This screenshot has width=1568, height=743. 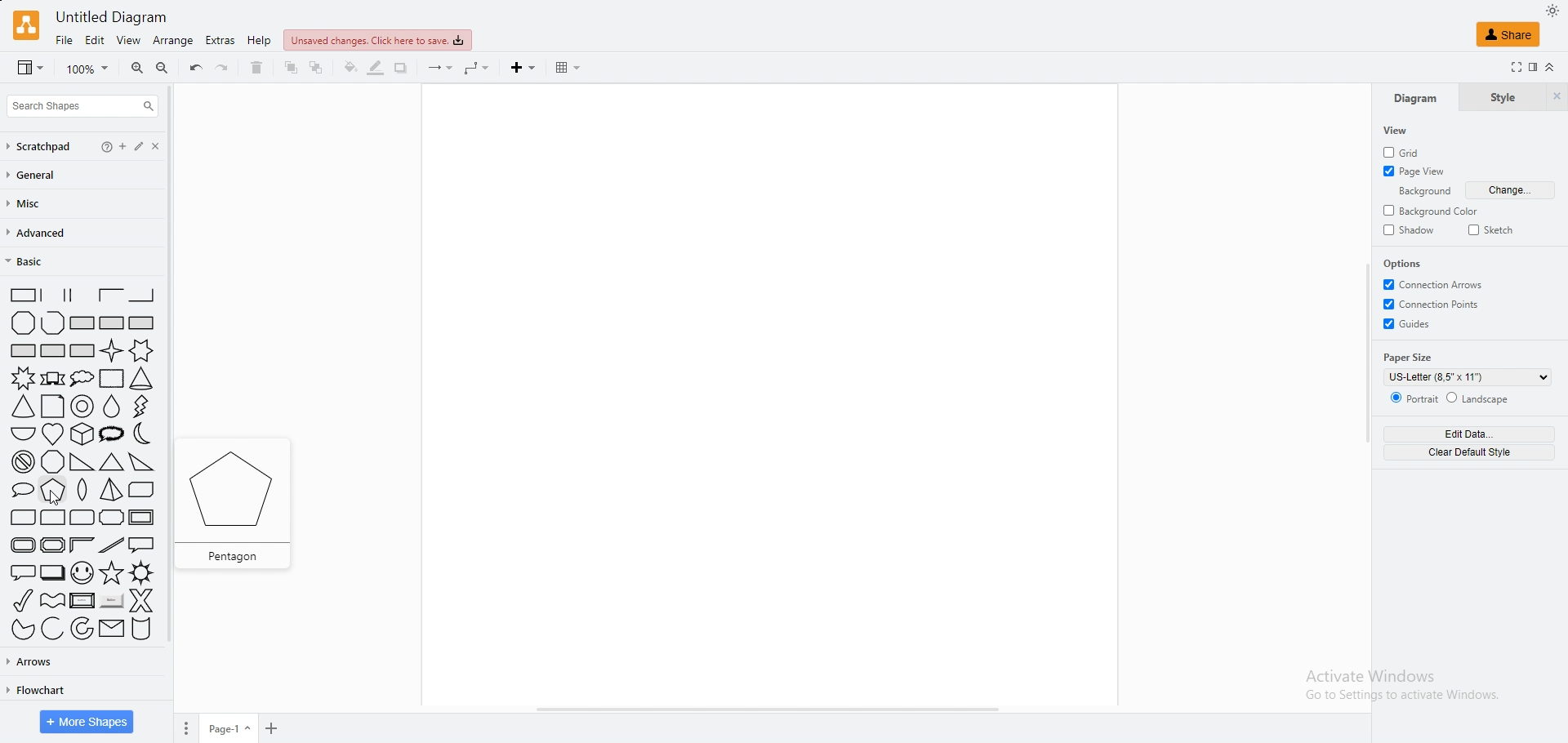 I want to click on dark mode, so click(x=1552, y=10).